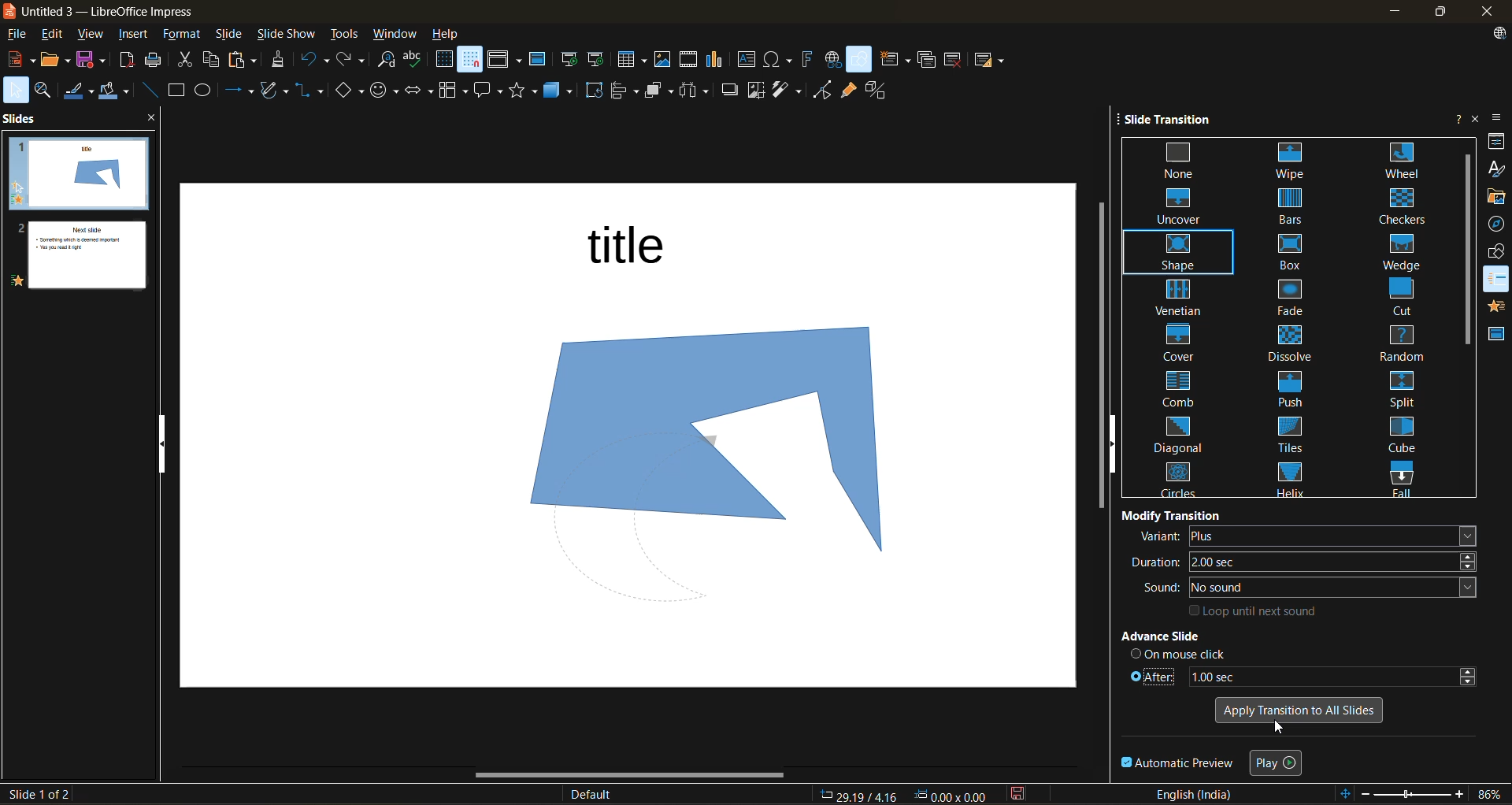 The height and width of the screenshot is (805, 1512). Describe the element at coordinates (471, 61) in the screenshot. I see `snap to grid` at that location.